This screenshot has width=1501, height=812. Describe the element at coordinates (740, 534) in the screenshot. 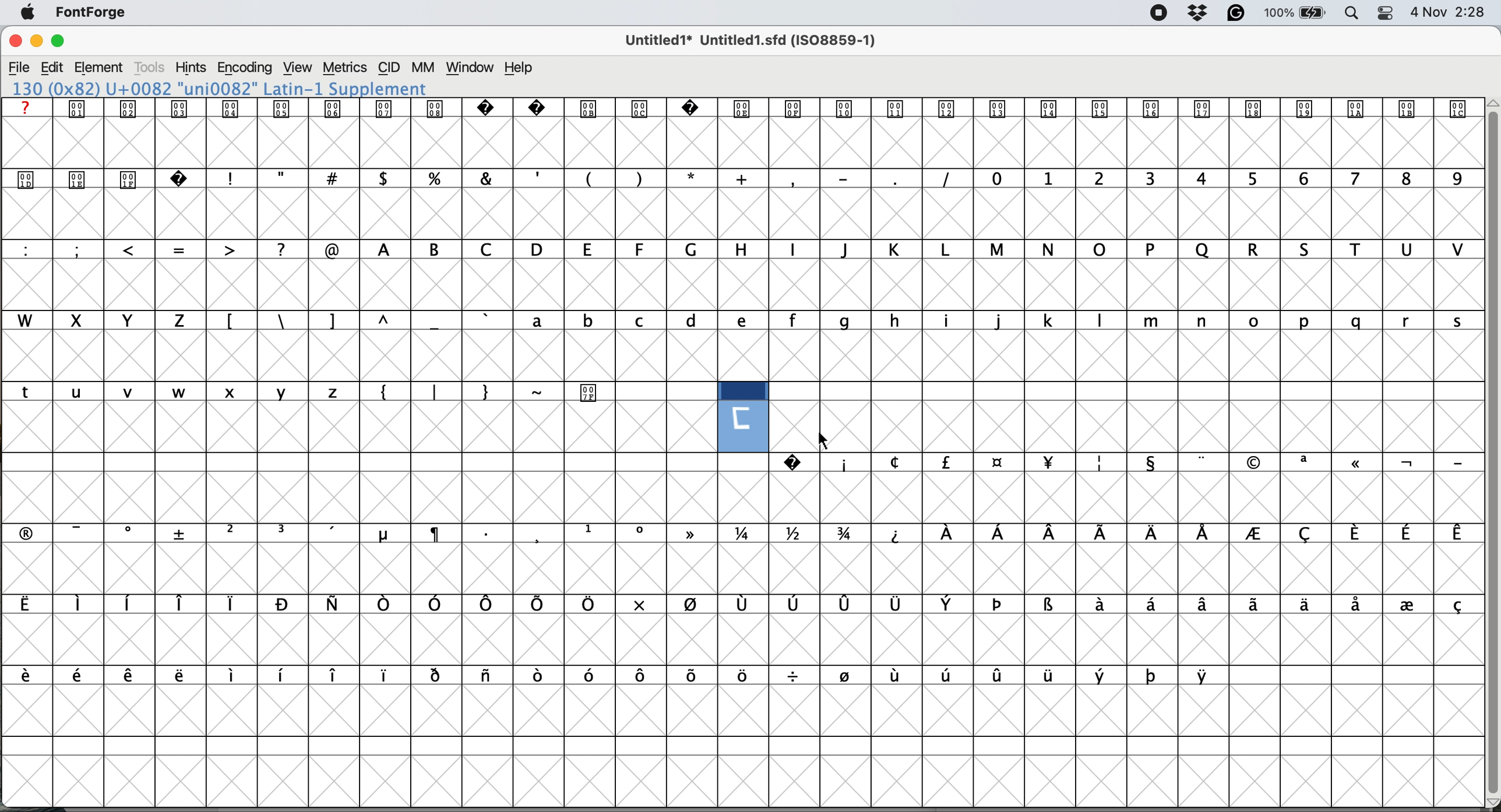

I see `Glyph Slots` at that location.